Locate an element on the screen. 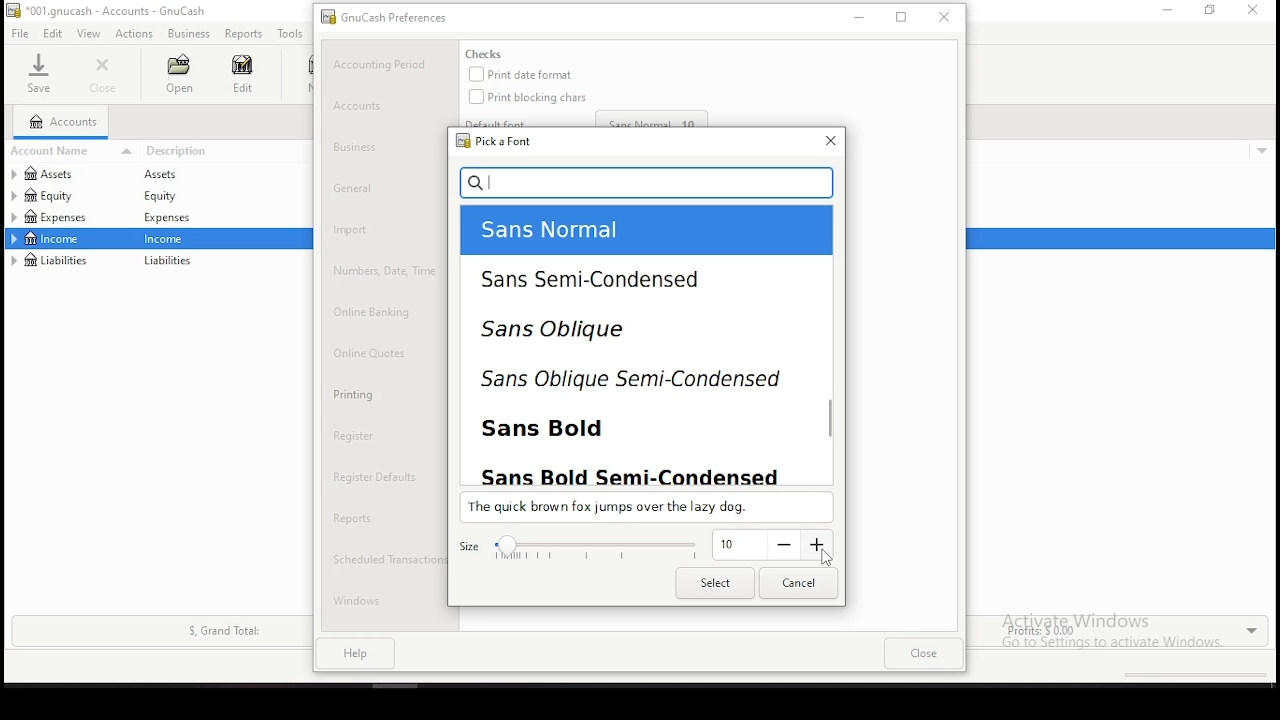  pick a font is located at coordinates (491, 141).